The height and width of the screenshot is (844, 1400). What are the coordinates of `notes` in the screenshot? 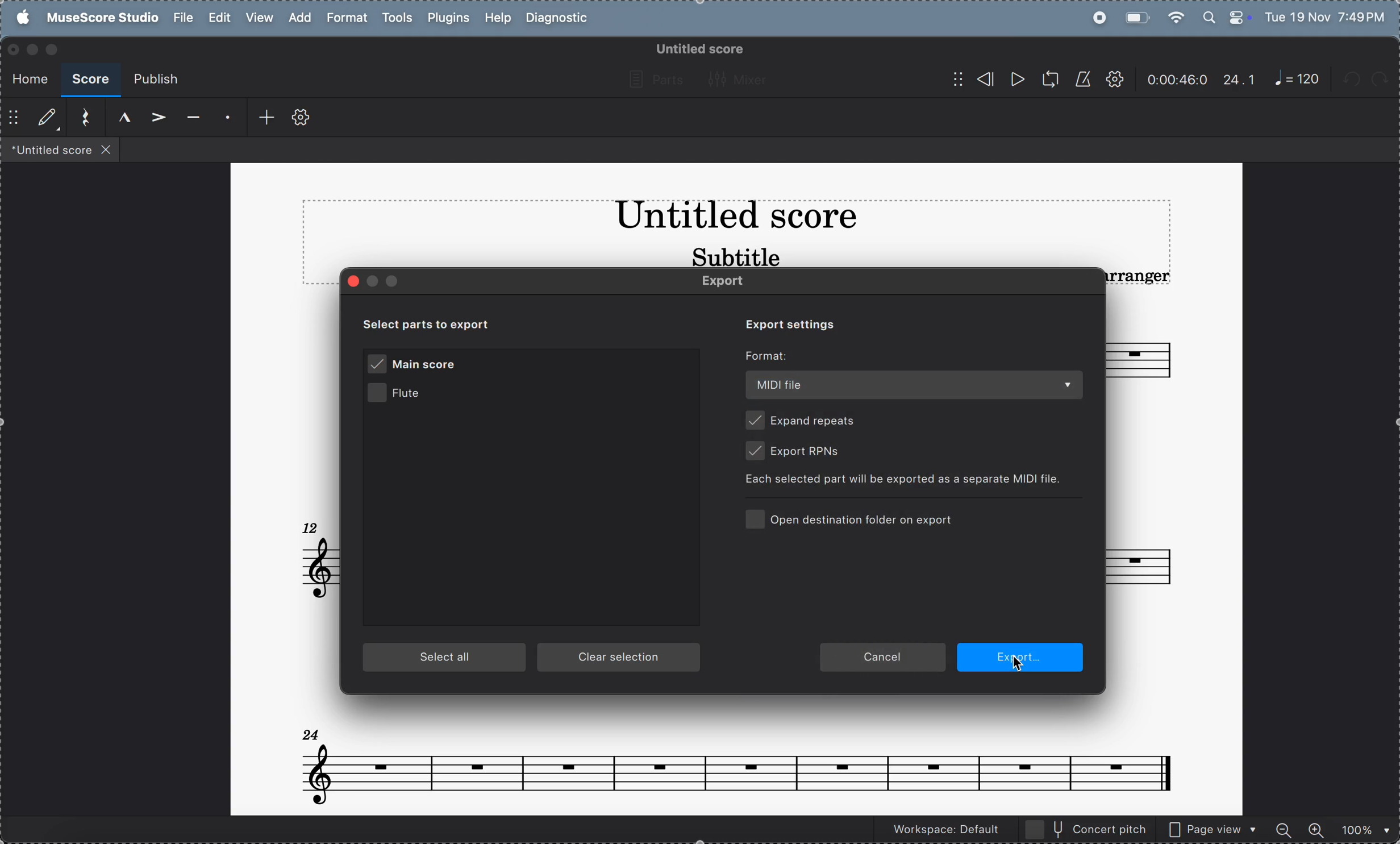 It's located at (736, 760).